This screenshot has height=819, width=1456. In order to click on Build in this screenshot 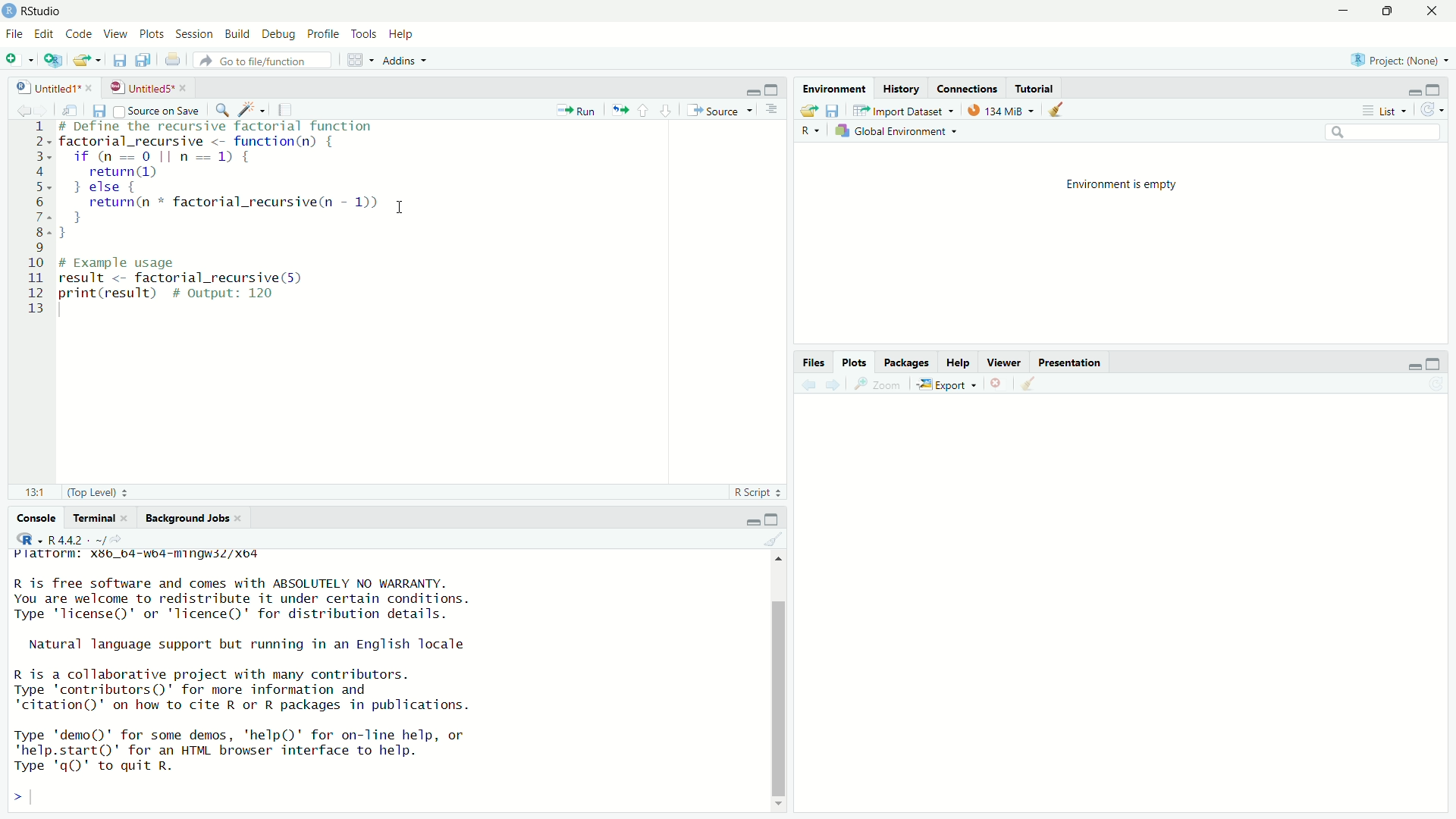, I will do `click(234, 33)`.